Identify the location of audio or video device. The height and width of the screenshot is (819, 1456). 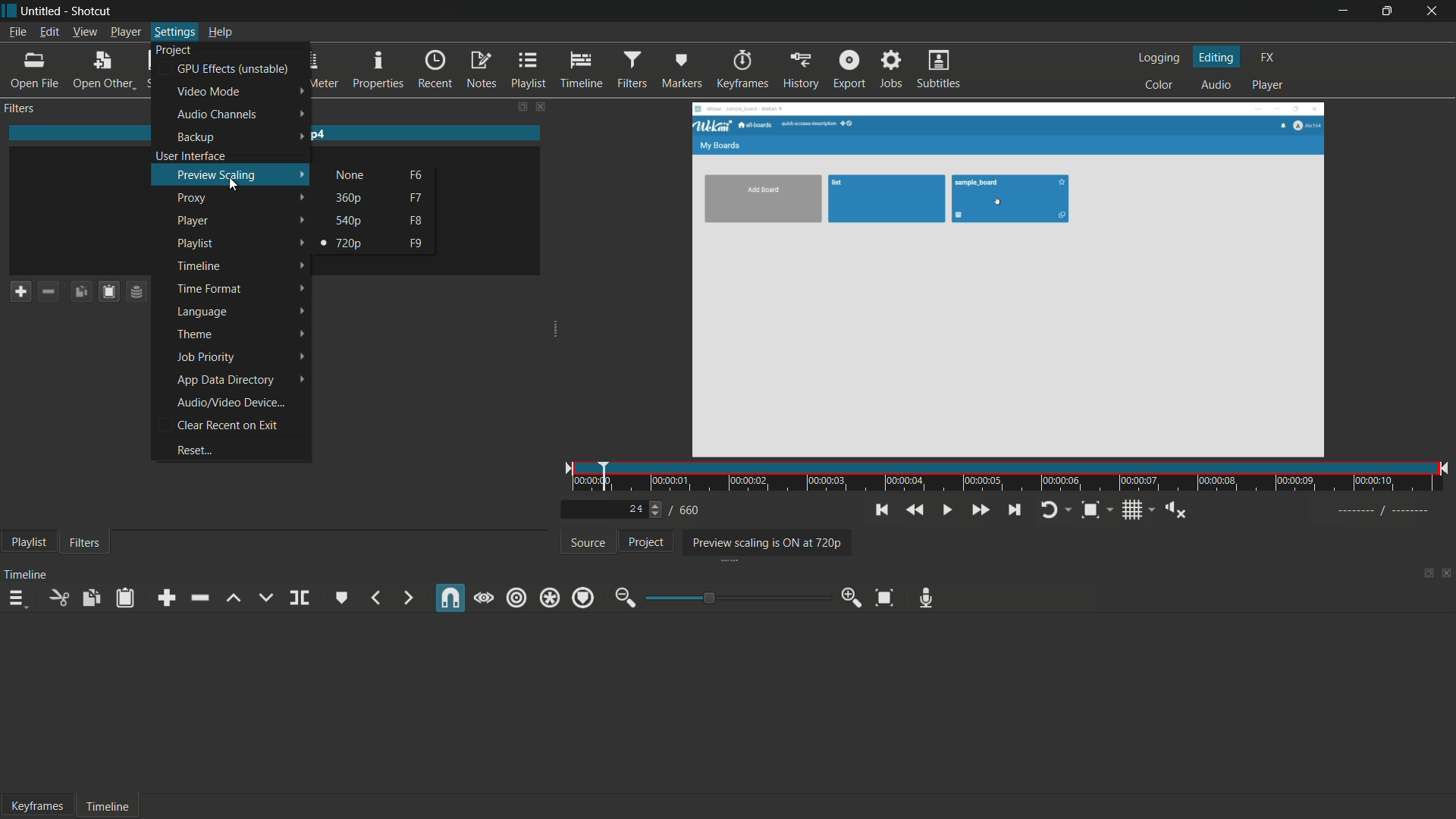
(231, 403).